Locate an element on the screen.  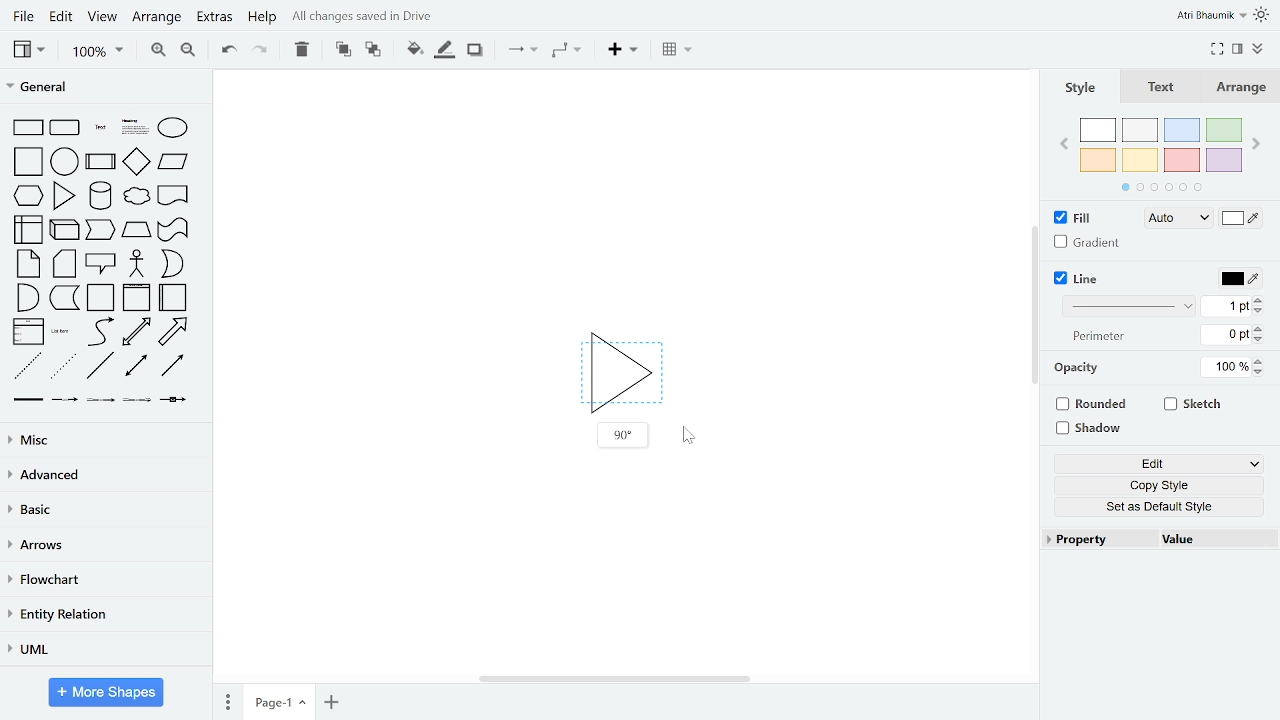
arrow is located at coordinates (177, 331).